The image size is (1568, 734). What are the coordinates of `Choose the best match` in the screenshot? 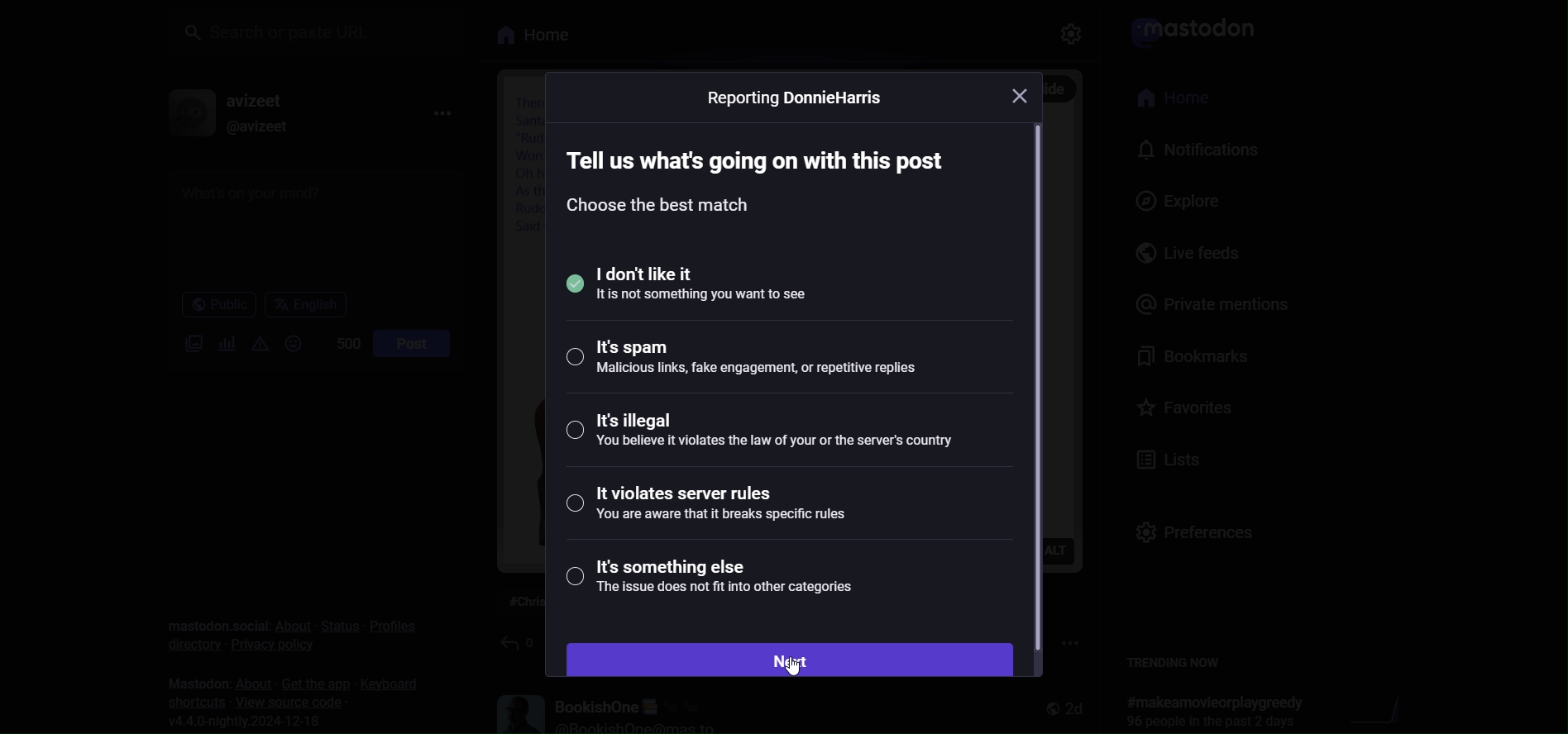 It's located at (663, 209).